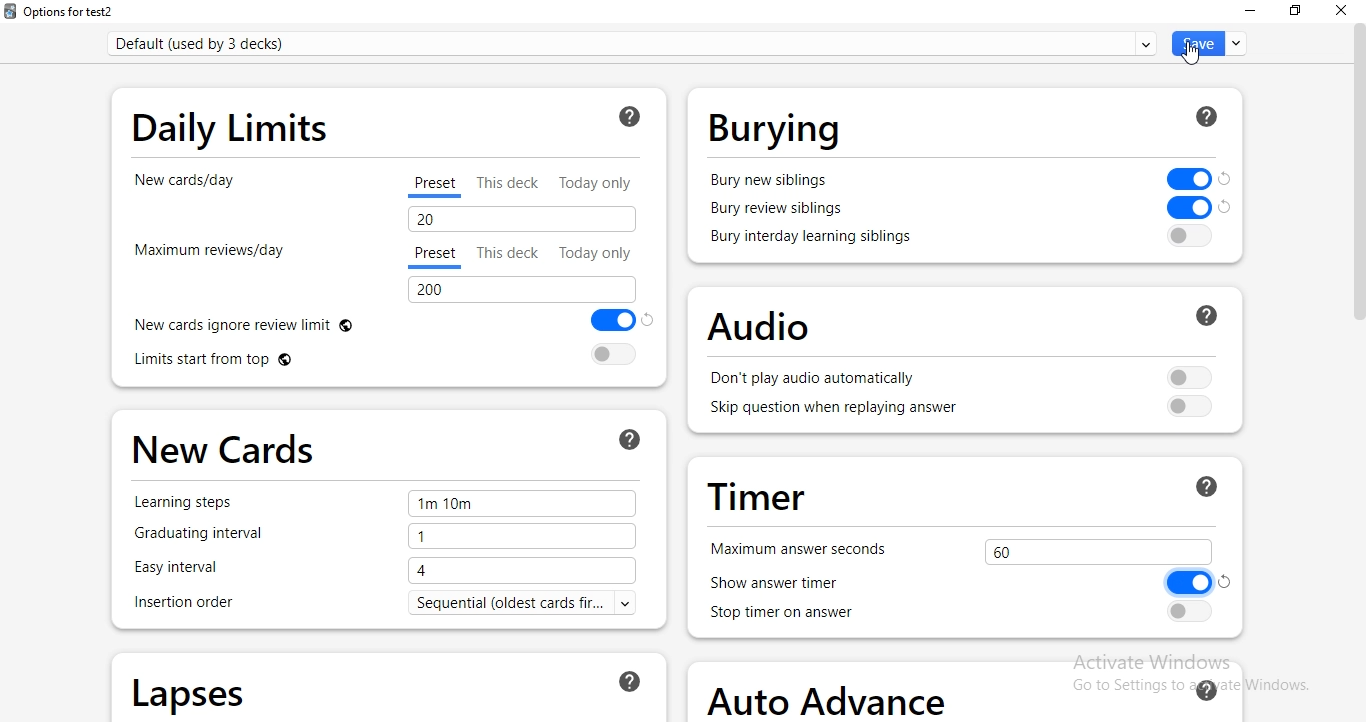 Image resolution: width=1366 pixels, height=722 pixels. I want to click on maximum reviews/day, so click(198, 246).